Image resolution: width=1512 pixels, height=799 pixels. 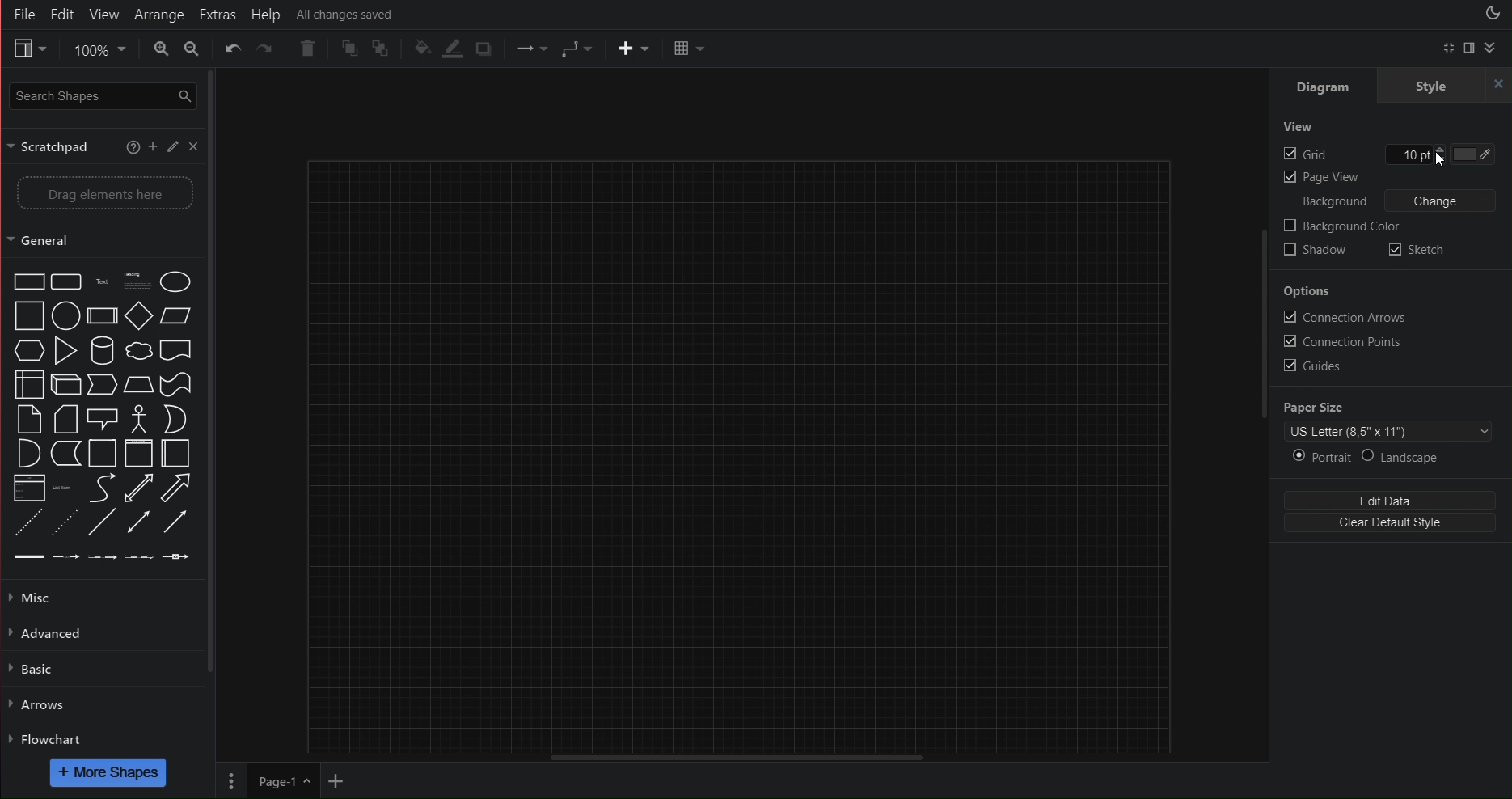 What do you see at coordinates (101, 412) in the screenshot?
I see `screen` at bounding box center [101, 412].